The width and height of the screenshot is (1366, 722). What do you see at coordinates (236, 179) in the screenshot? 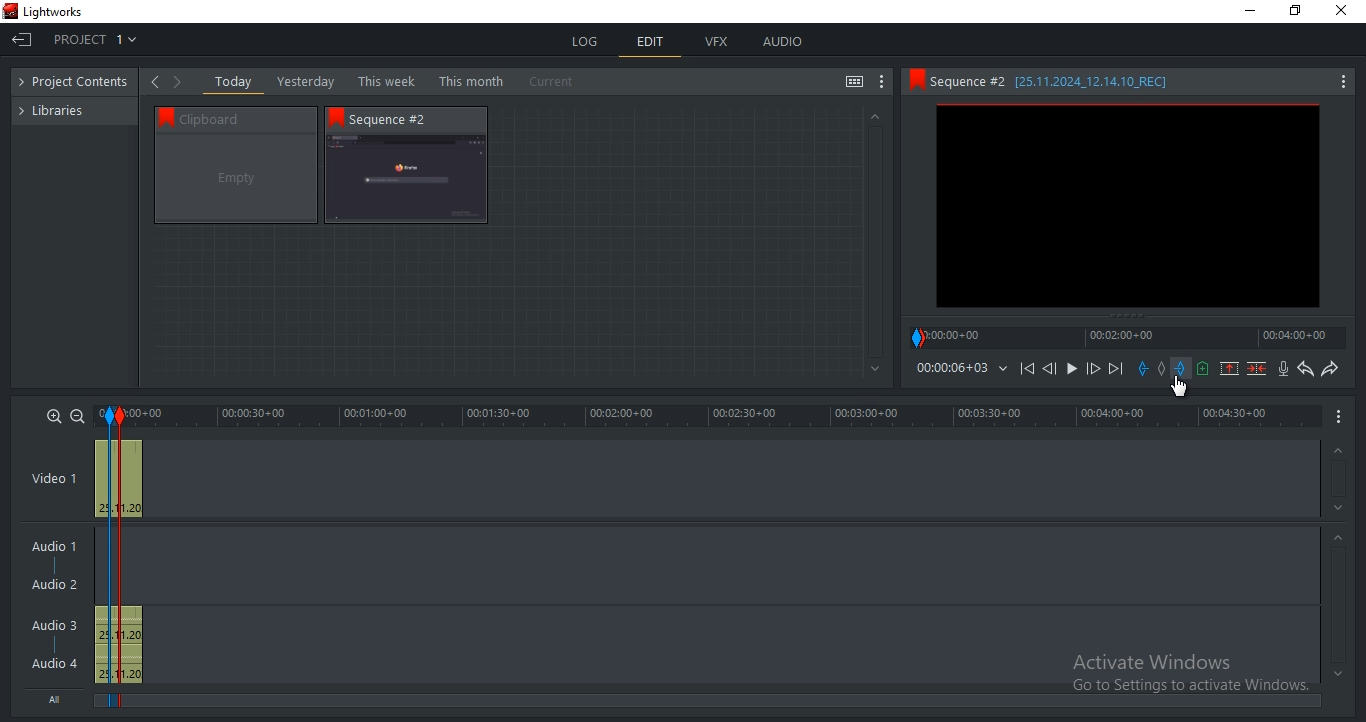
I see `clipboard` at bounding box center [236, 179].